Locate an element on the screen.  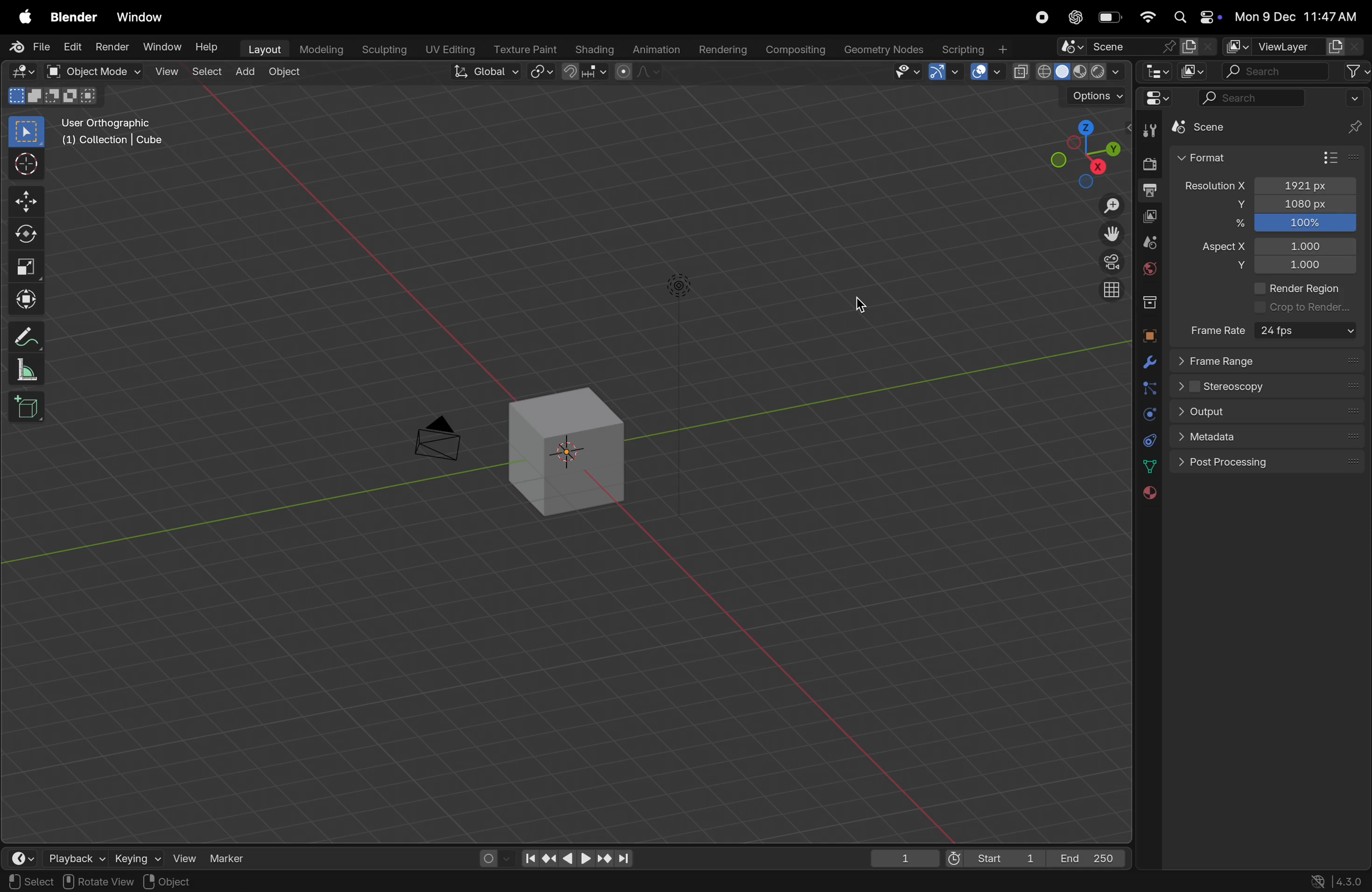
filter is located at coordinates (1358, 72).